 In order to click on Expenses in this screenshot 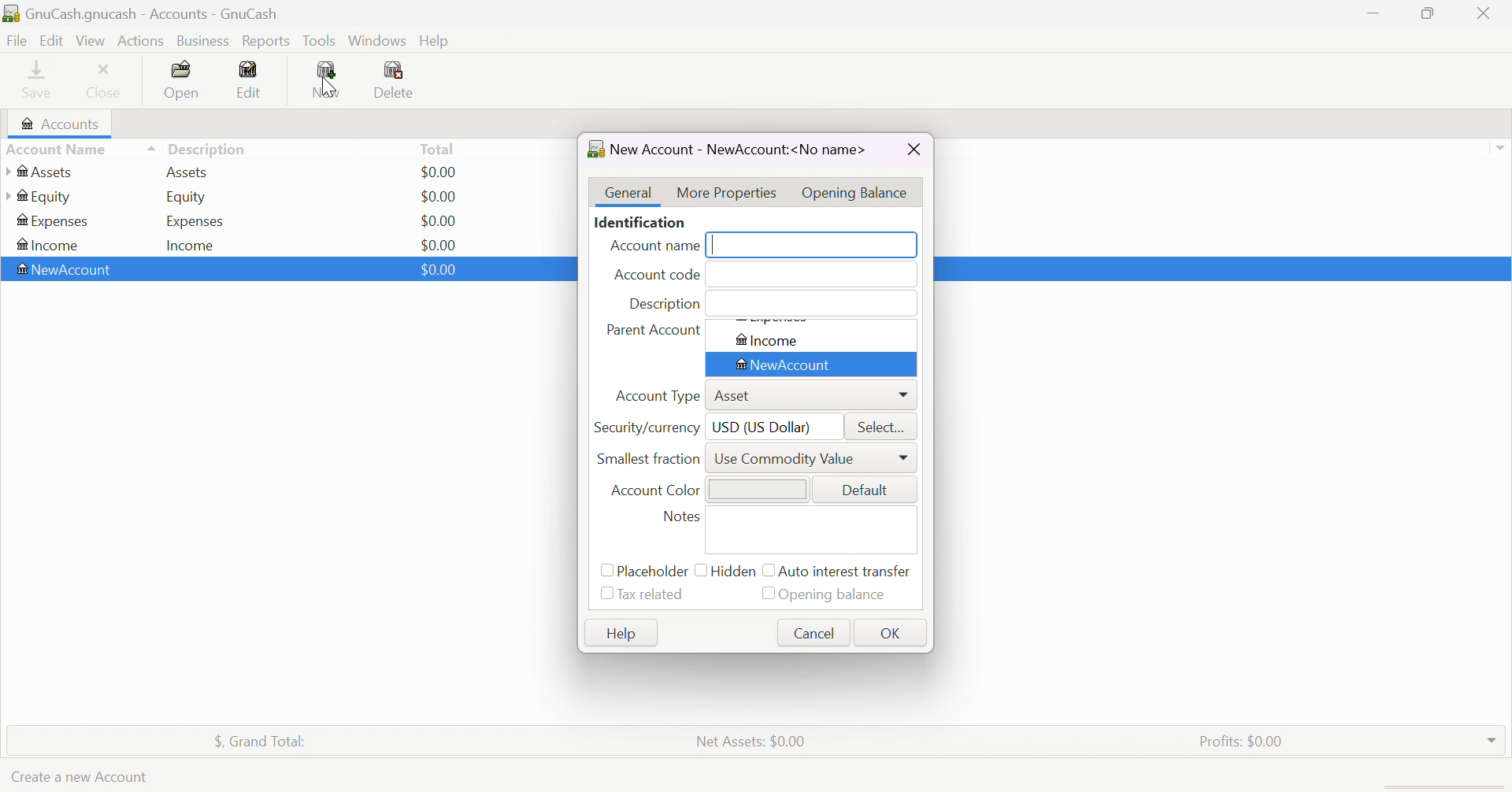, I will do `click(55, 221)`.